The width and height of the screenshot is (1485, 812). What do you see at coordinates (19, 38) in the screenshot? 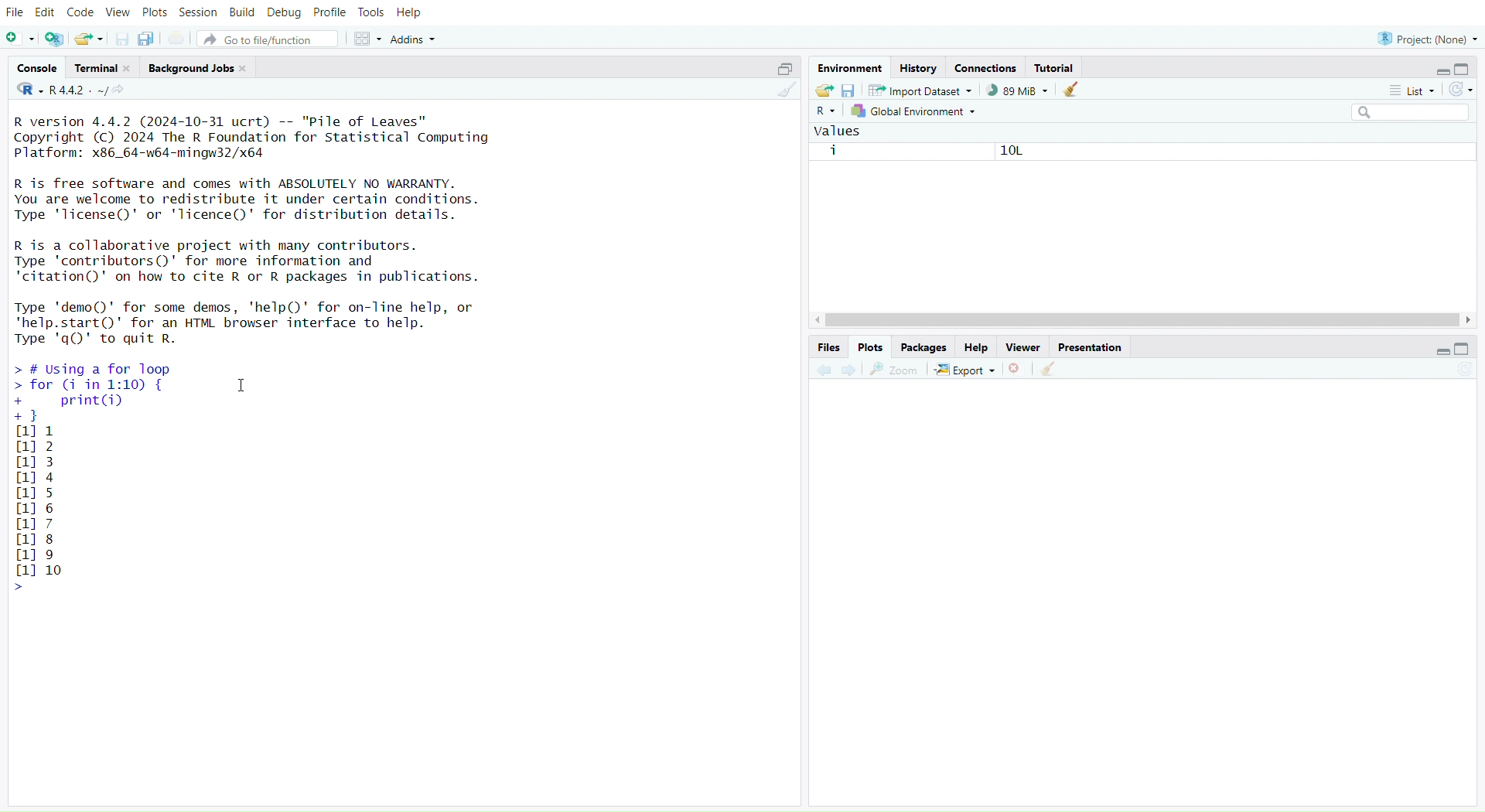
I see `new script` at bounding box center [19, 38].